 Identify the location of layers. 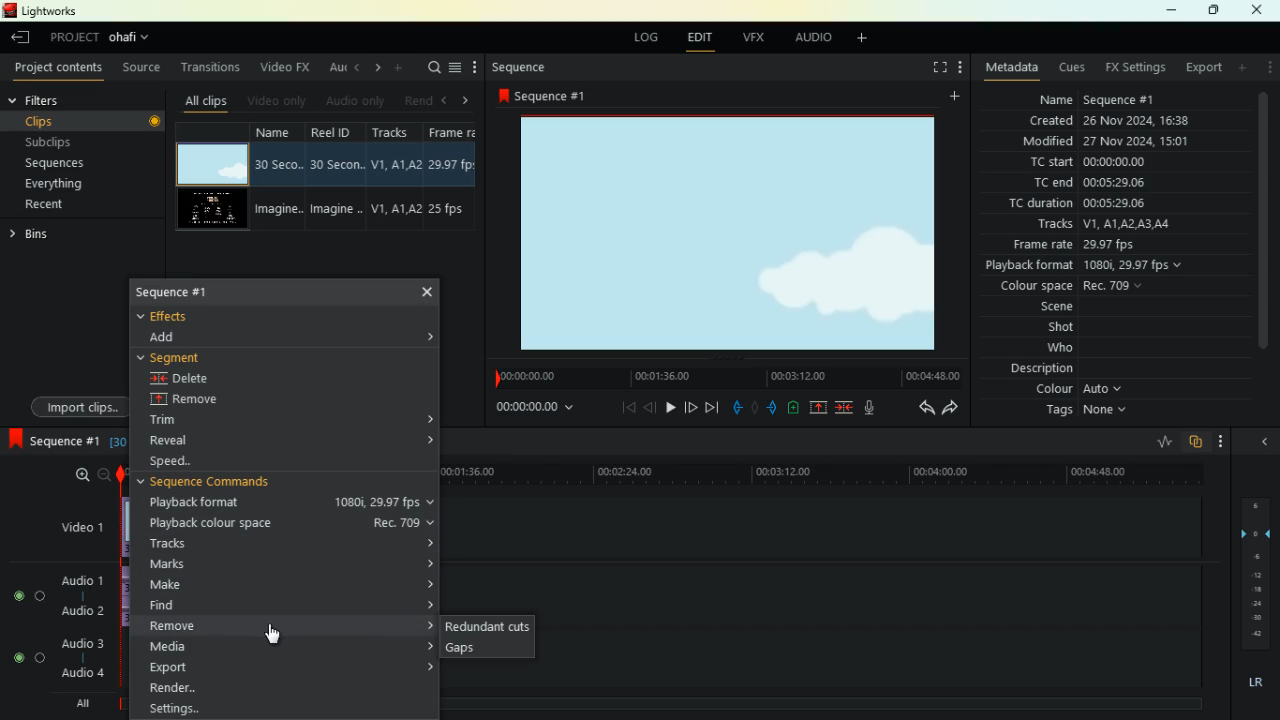
(1253, 595).